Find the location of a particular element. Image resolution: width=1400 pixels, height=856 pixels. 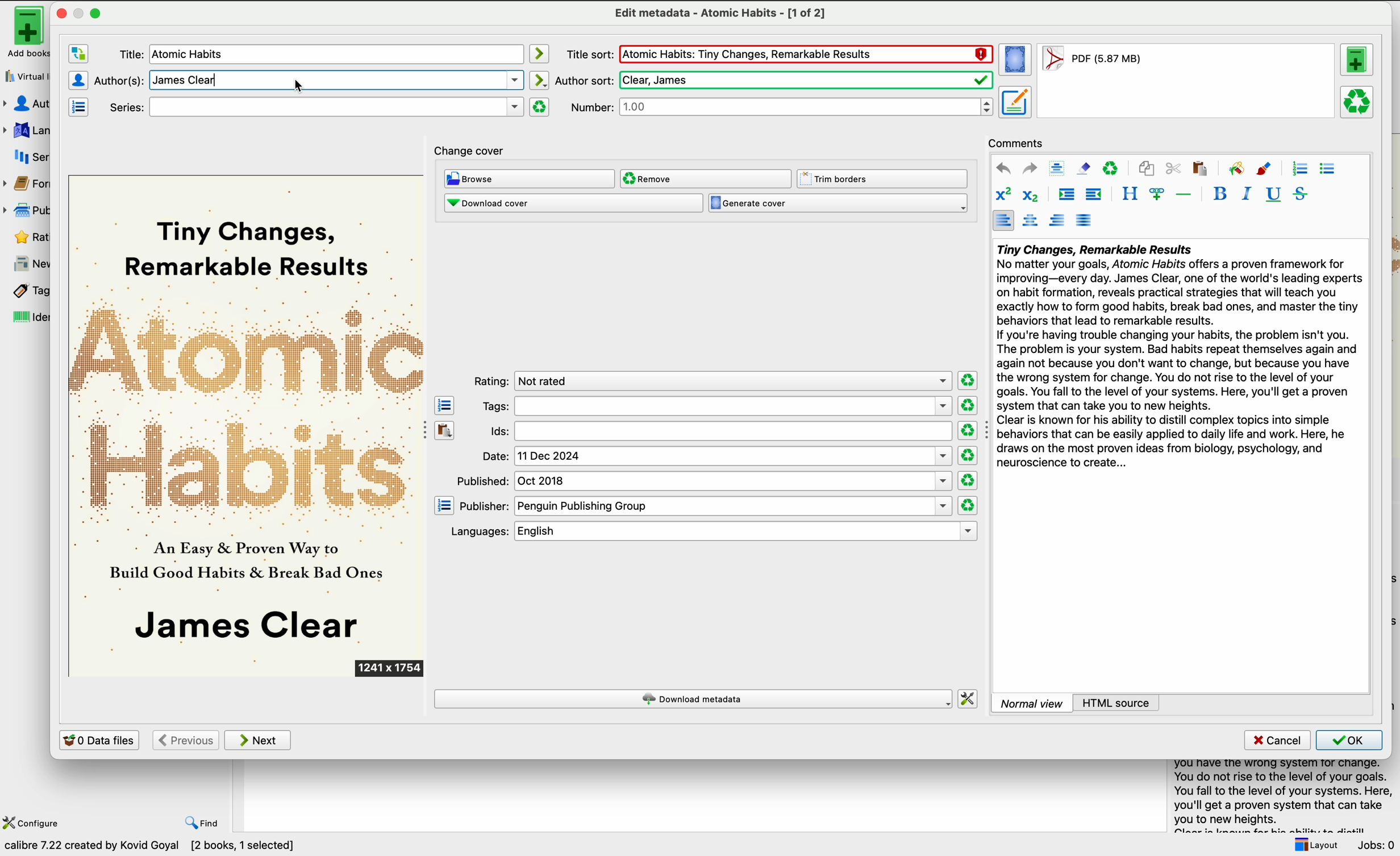

download metadata is located at coordinates (693, 699).